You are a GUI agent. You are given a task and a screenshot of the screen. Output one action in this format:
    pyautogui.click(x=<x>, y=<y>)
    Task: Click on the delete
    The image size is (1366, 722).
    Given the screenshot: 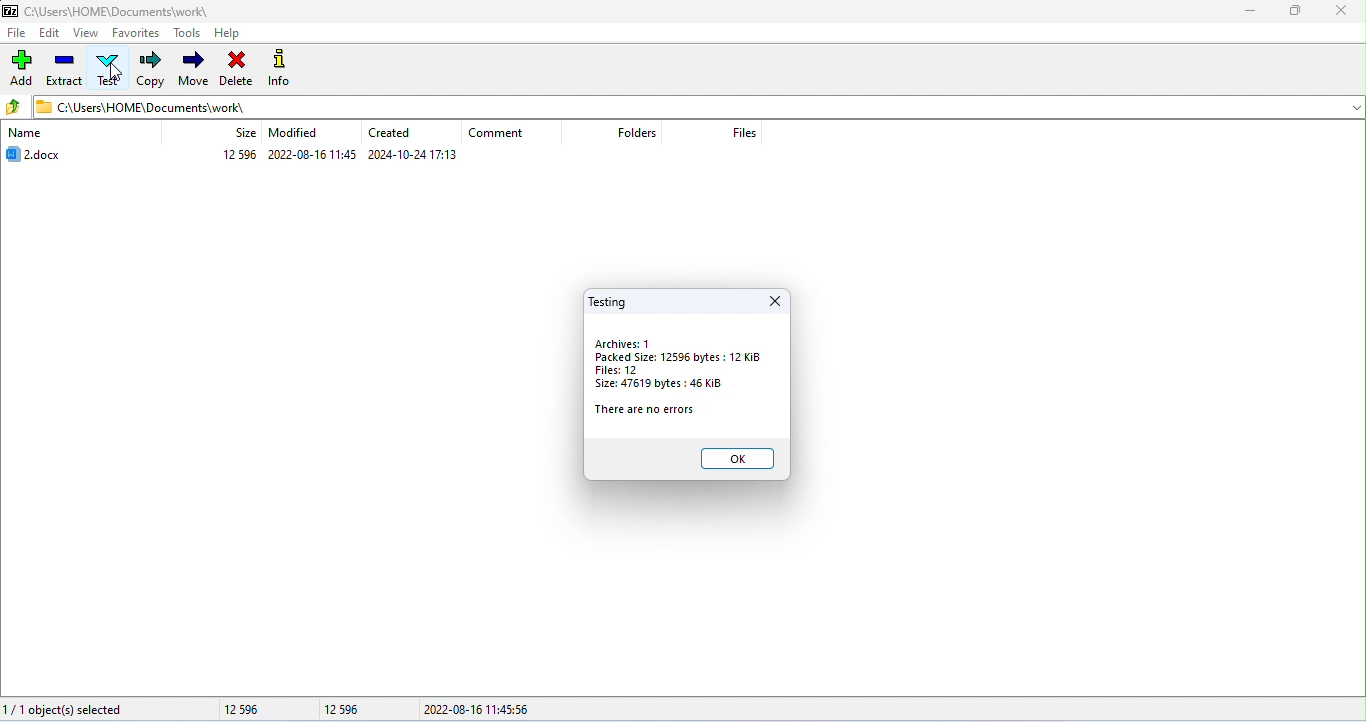 What is the action you would take?
    pyautogui.click(x=236, y=68)
    